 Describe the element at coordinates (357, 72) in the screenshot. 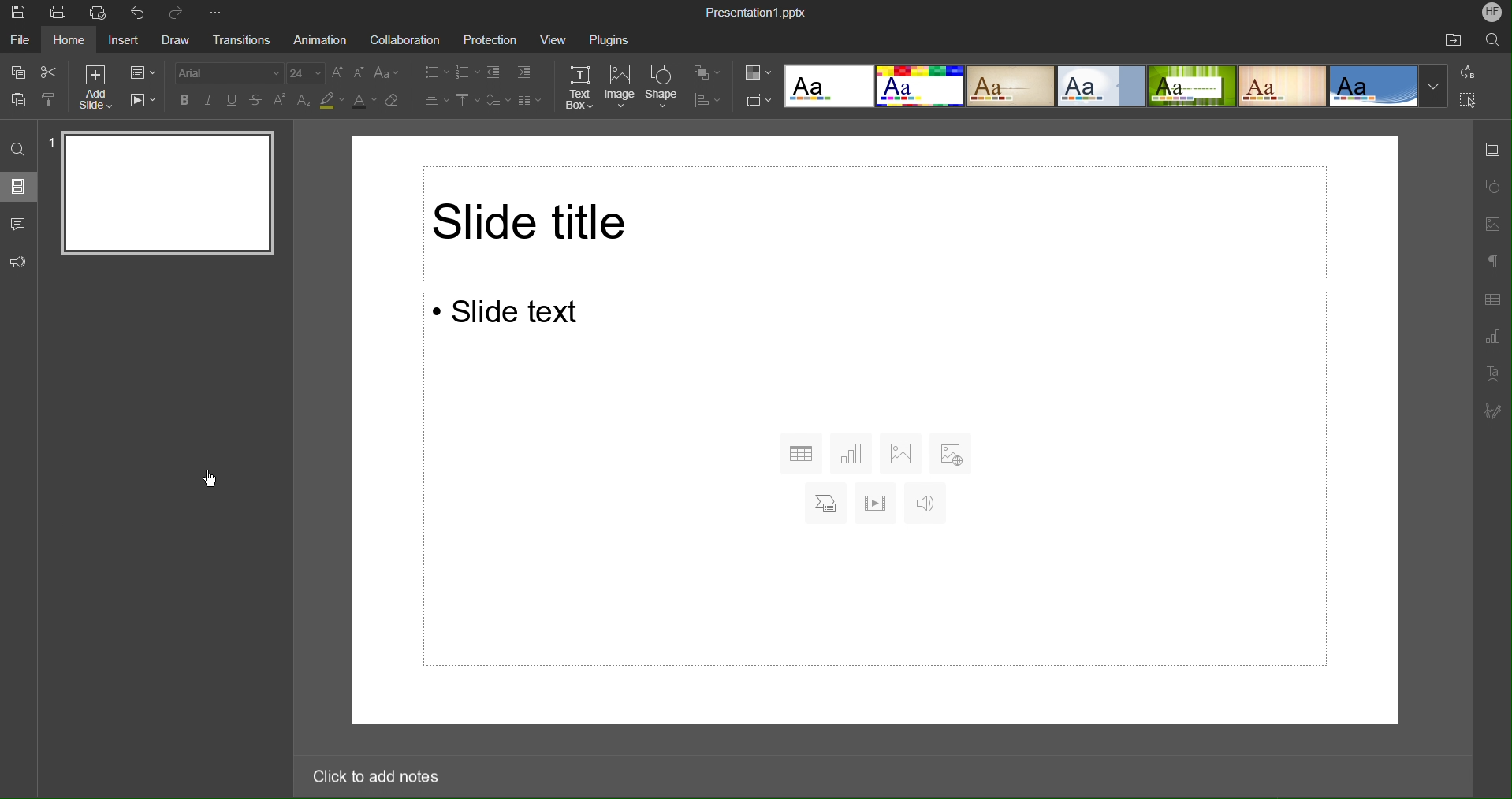

I see `decrease font size` at that location.